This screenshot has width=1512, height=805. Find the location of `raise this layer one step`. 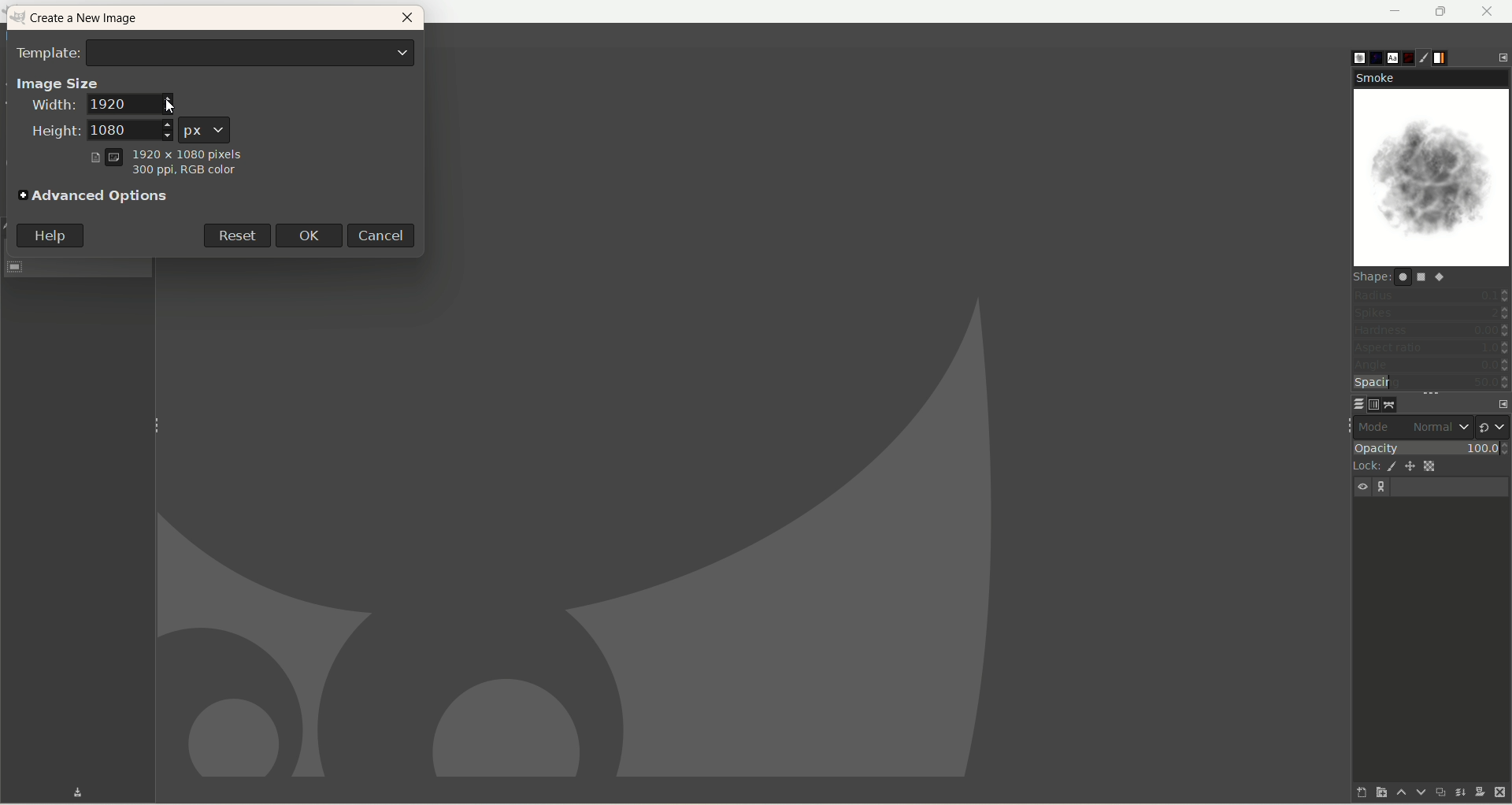

raise this layer one step is located at coordinates (1394, 795).